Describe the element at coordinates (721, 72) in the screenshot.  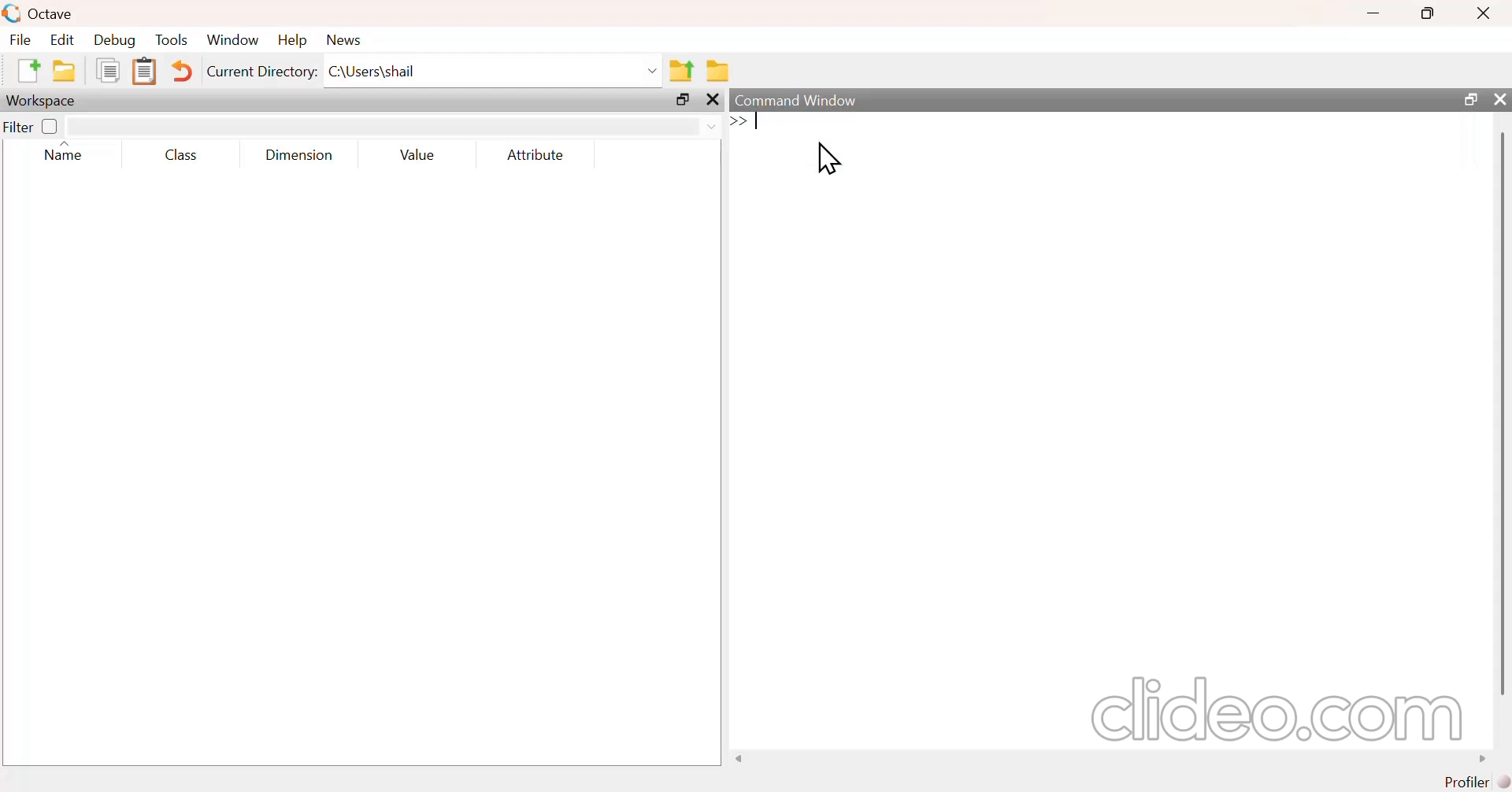
I see `browse directories` at that location.